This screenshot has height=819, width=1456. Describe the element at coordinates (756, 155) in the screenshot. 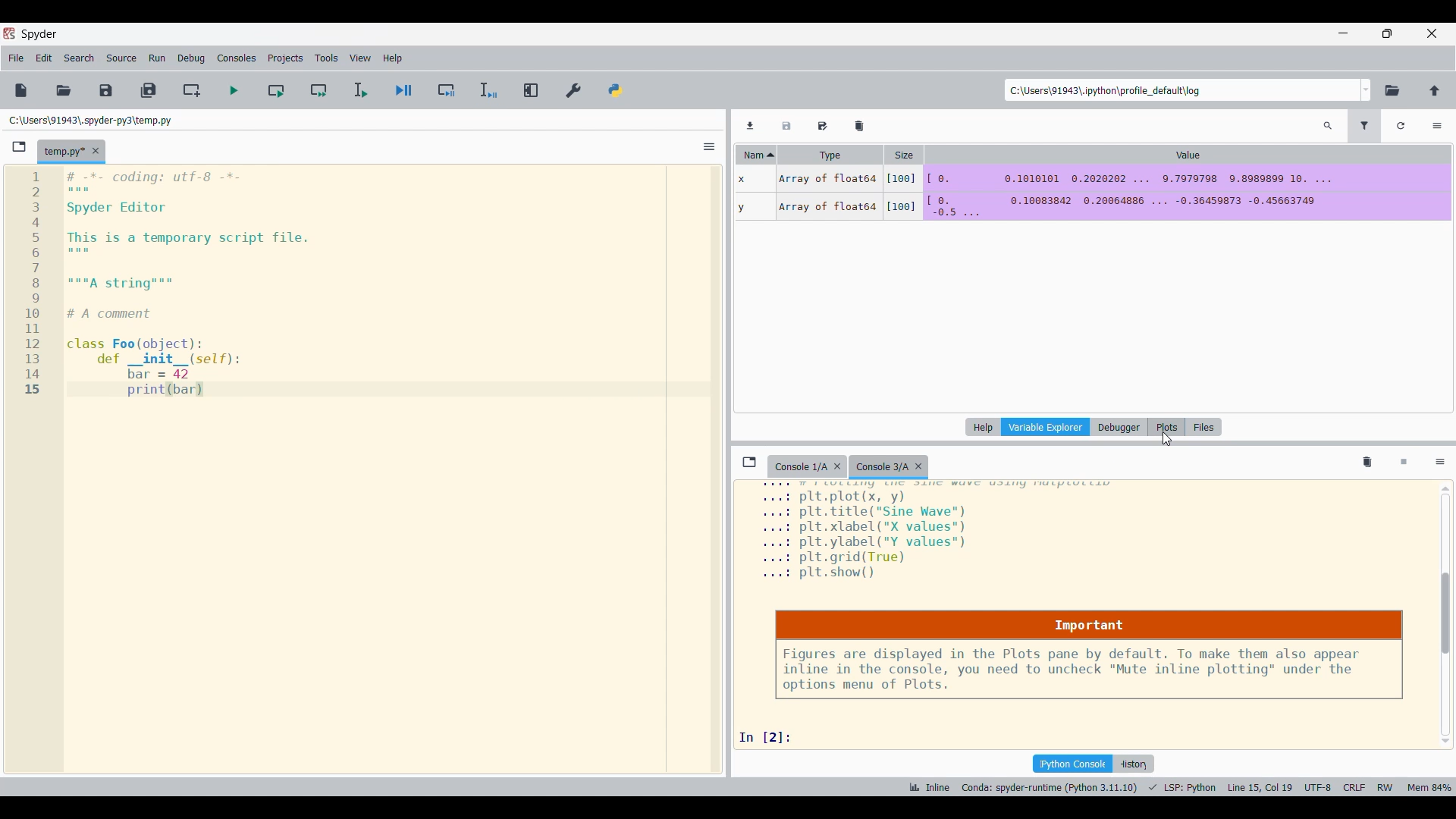

I see `Name column, current sorting` at that location.